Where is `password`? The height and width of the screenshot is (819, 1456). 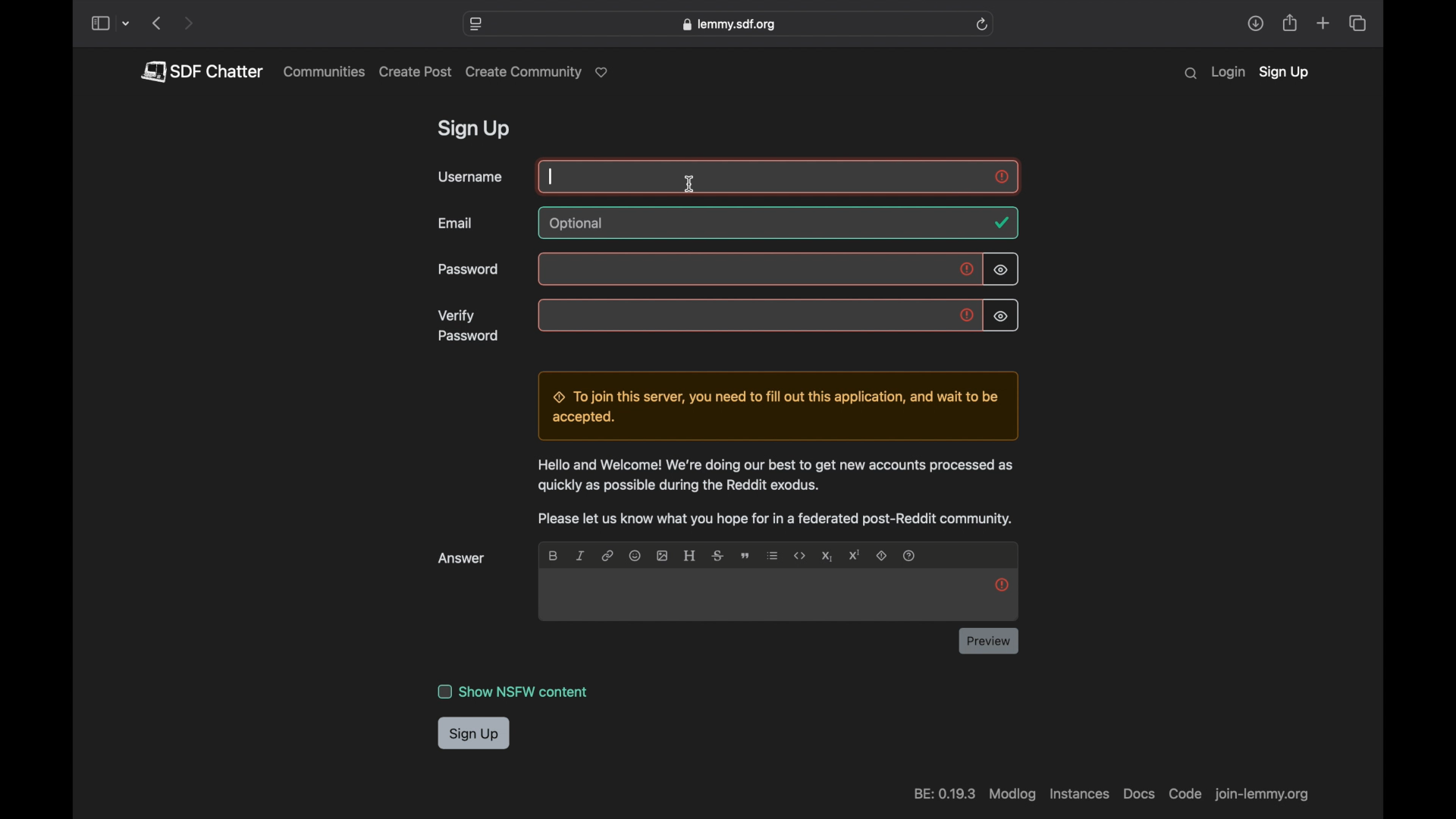 password is located at coordinates (469, 270).